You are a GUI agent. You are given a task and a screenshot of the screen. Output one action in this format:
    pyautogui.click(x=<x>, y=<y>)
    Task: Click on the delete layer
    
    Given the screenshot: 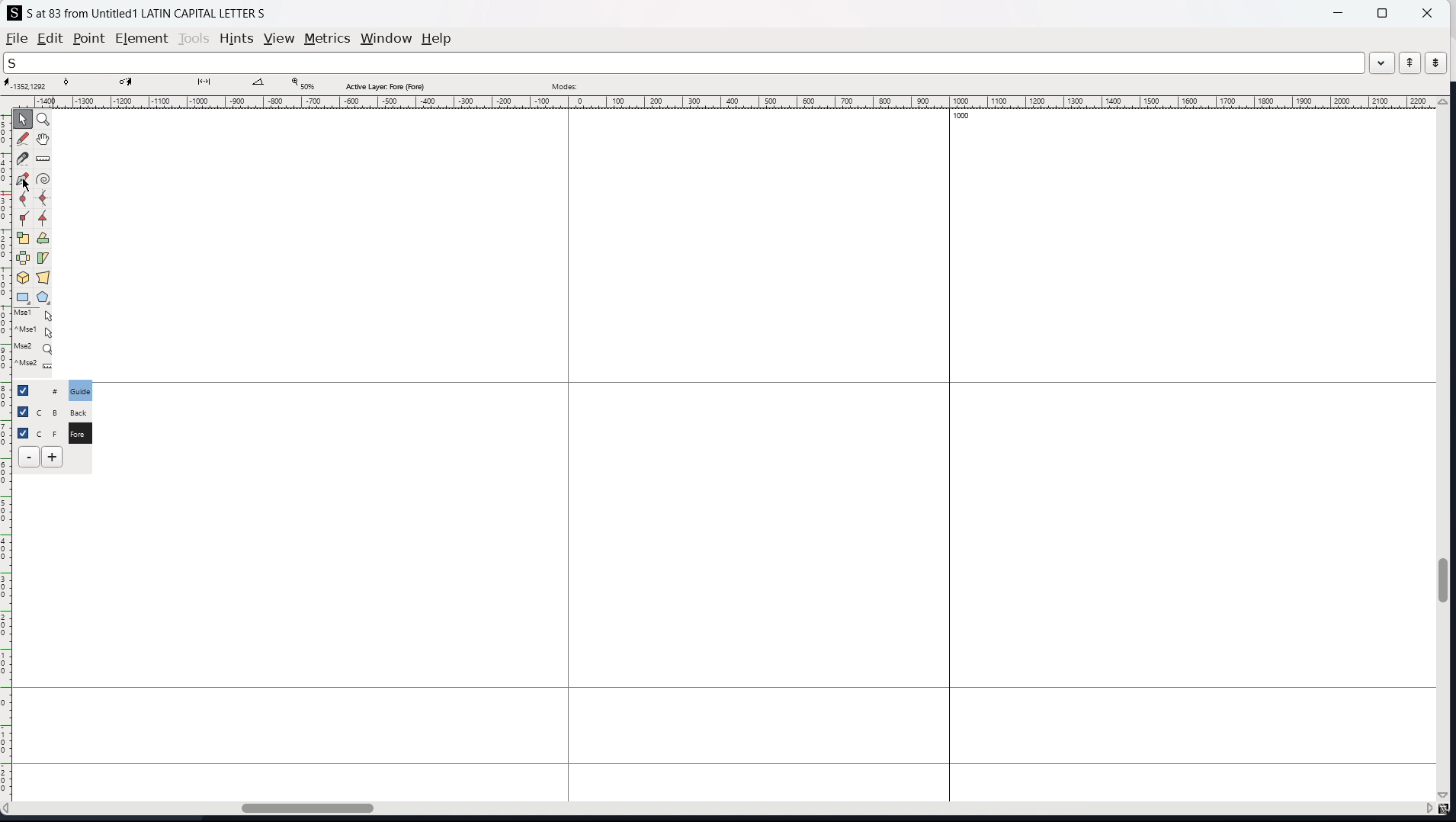 What is the action you would take?
    pyautogui.click(x=29, y=458)
    